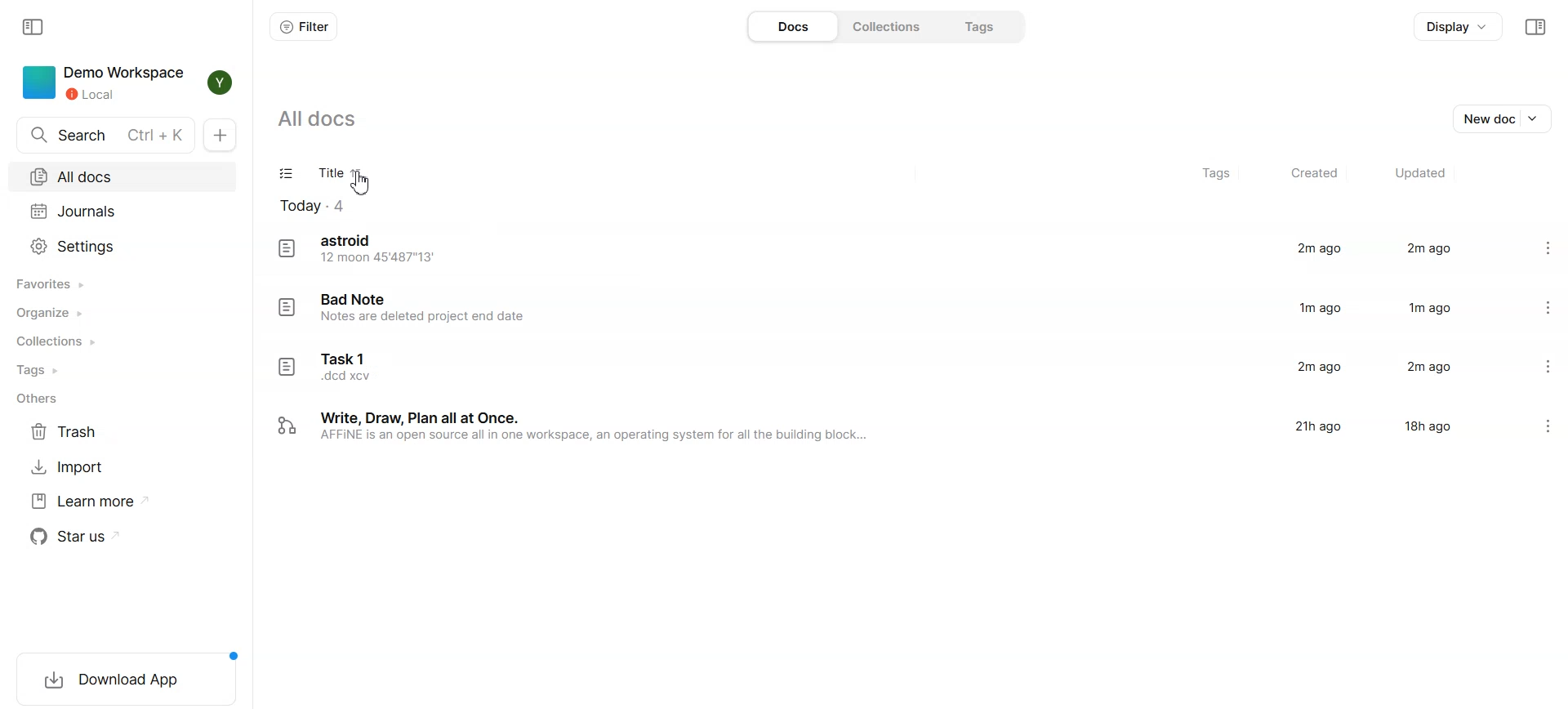 This screenshot has height=709, width=1568. Describe the element at coordinates (346, 377) in the screenshot. I see `.dcd xcv` at that location.